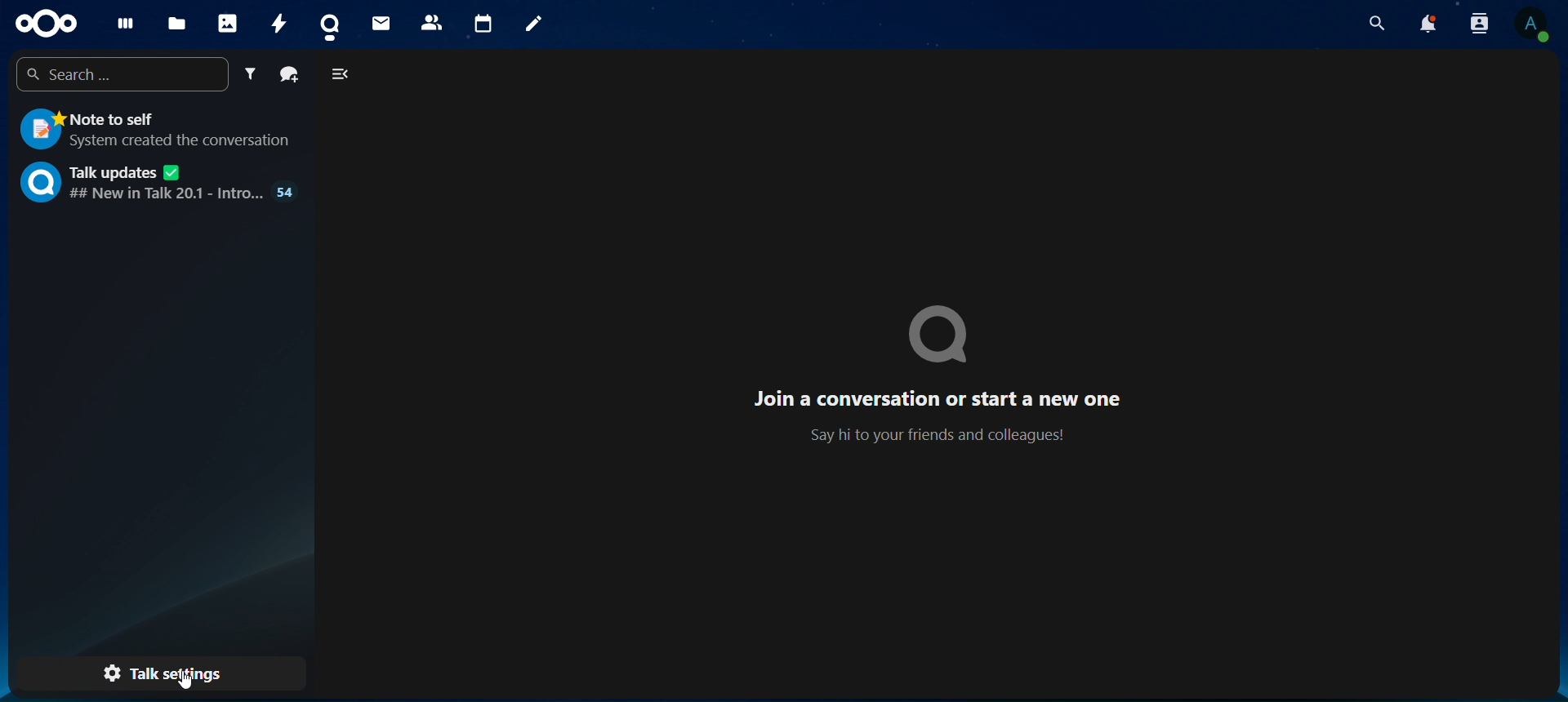 This screenshot has width=1568, height=702. Describe the element at coordinates (289, 72) in the screenshot. I see `create a group` at that location.